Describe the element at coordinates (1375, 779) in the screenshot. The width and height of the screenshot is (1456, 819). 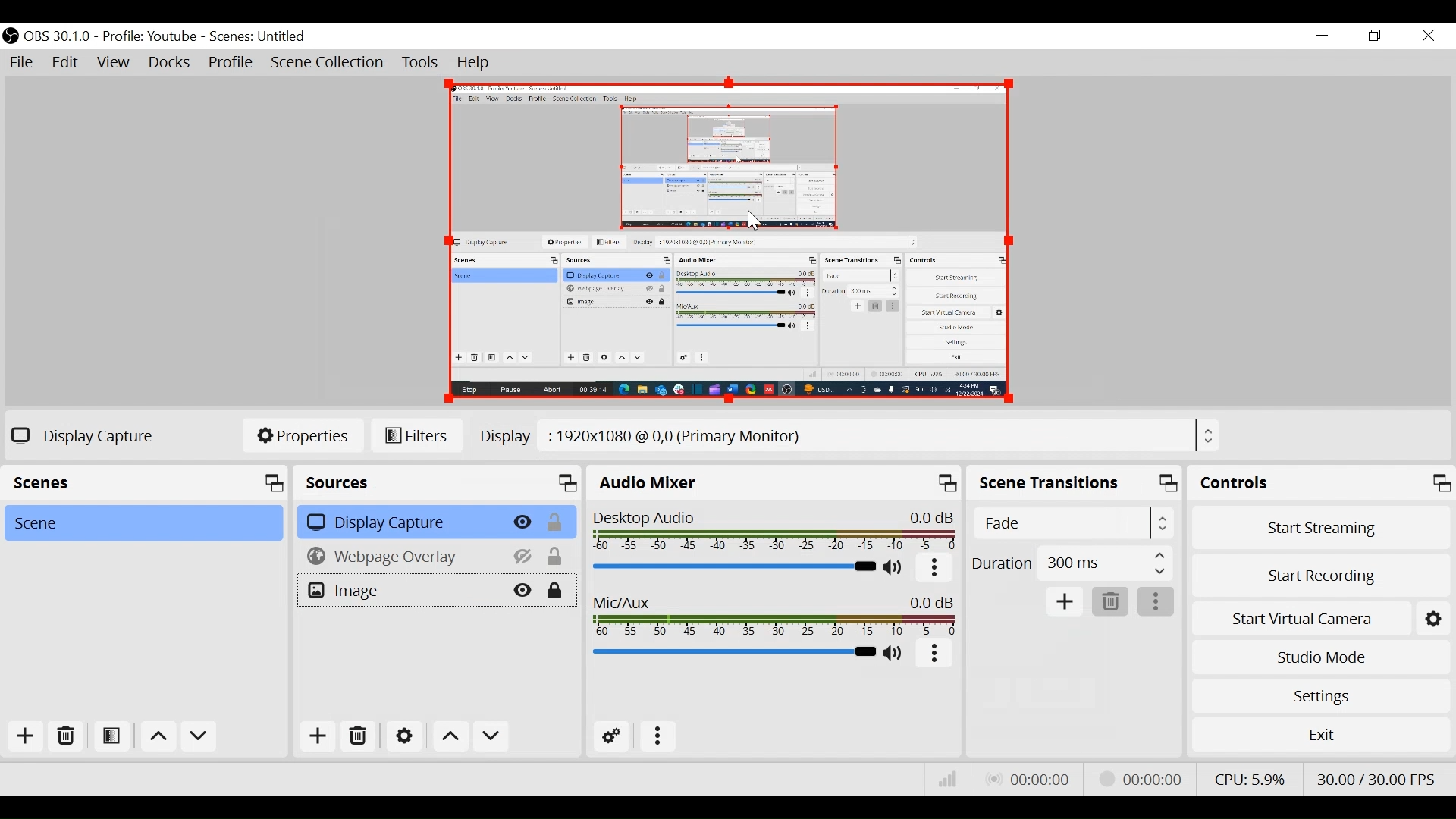
I see `Frame Per Second` at that location.